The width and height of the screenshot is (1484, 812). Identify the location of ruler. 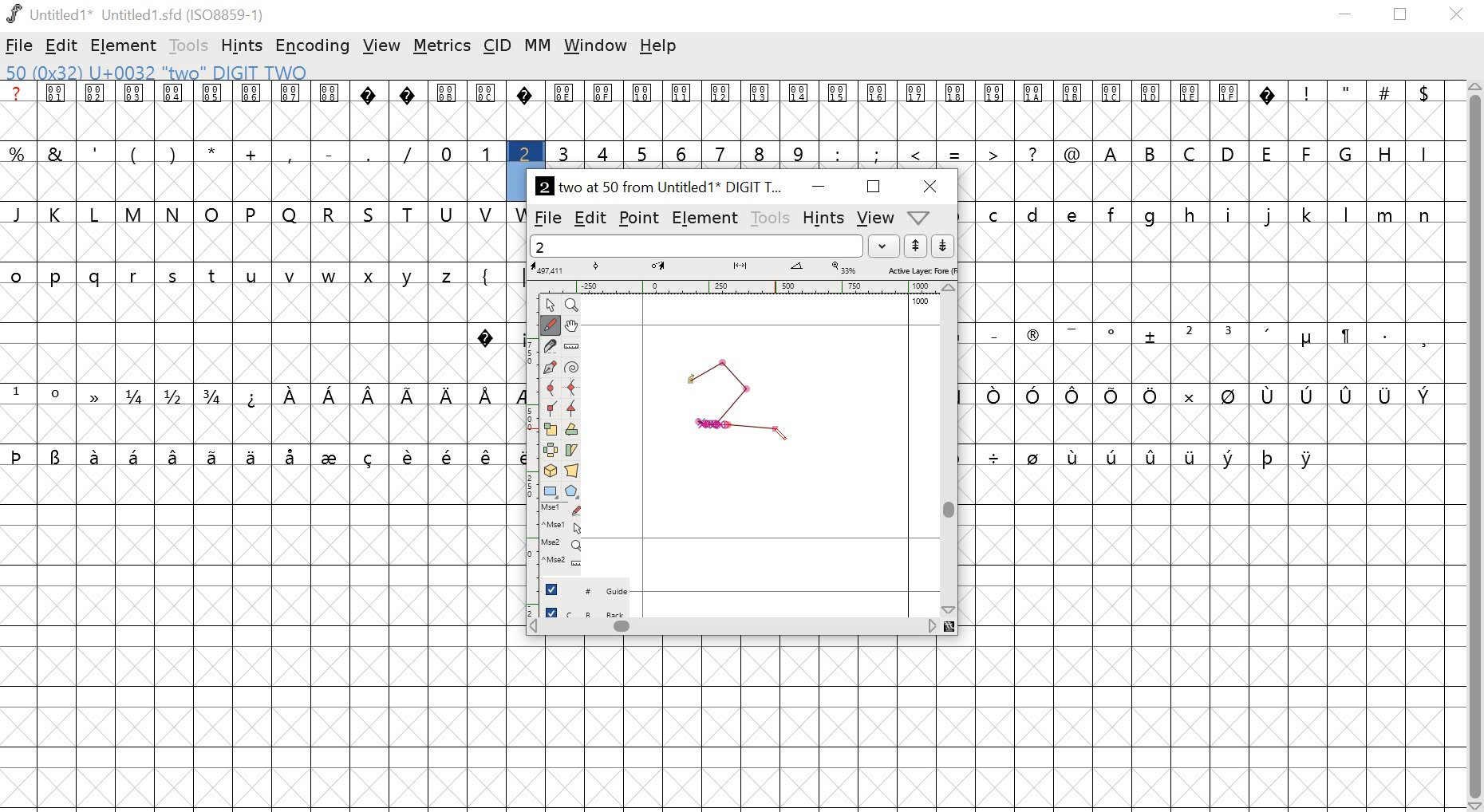
(532, 447).